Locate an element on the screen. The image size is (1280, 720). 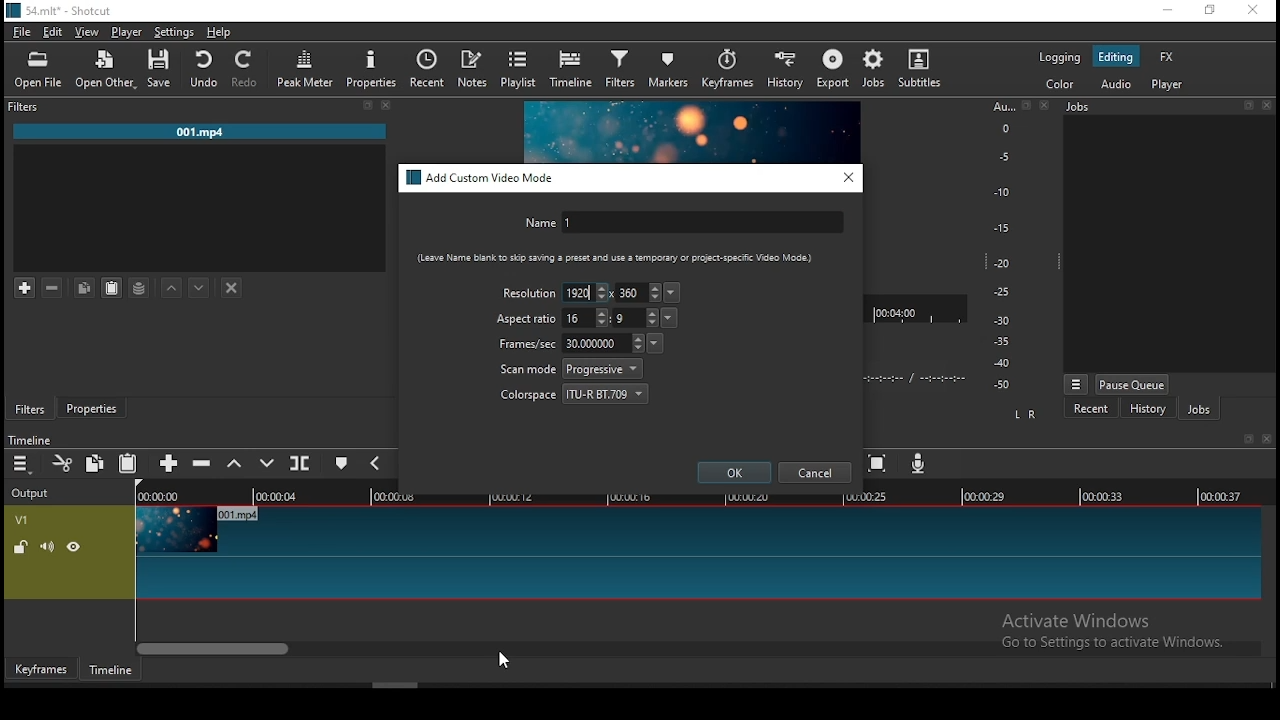
edit is located at coordinates (53, 33).